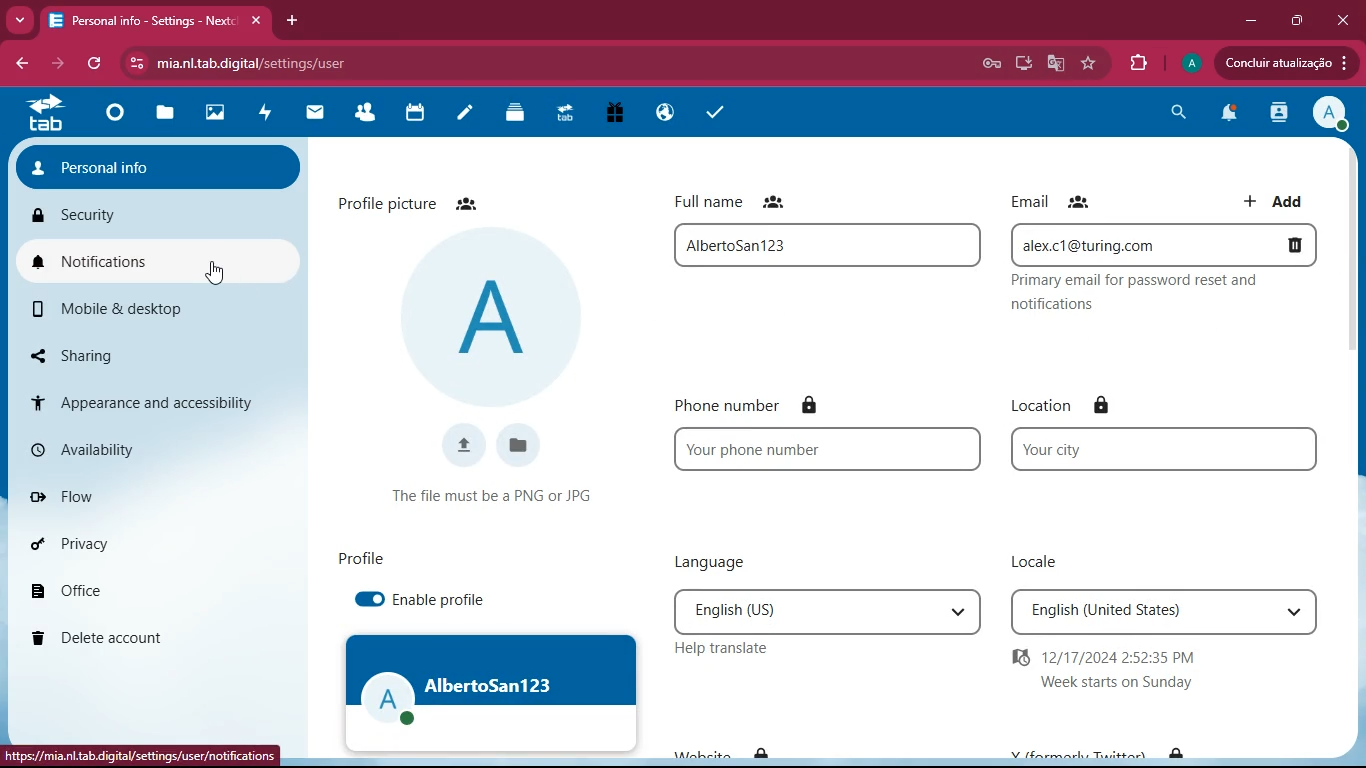 This screenshot has height=768, width=1366. I want to click on time, so click(1115, 671).